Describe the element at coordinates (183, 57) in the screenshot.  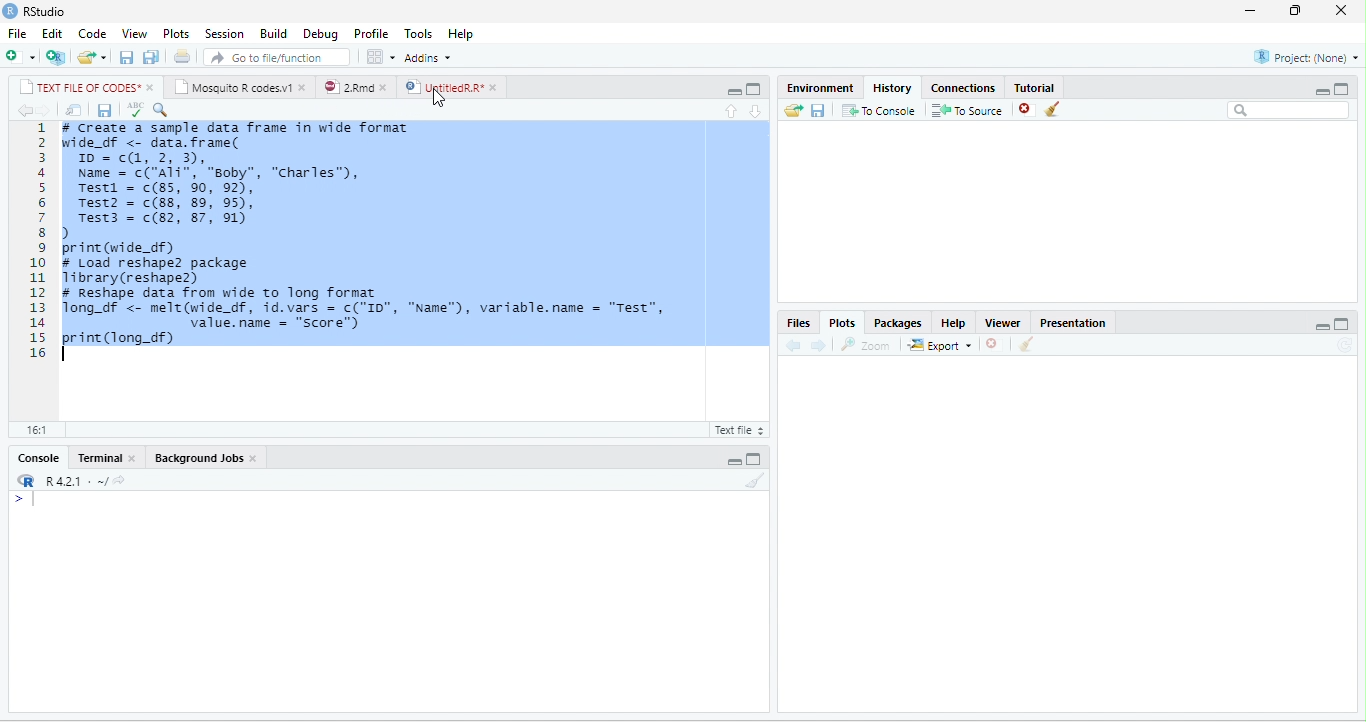
I see `print` at that location.